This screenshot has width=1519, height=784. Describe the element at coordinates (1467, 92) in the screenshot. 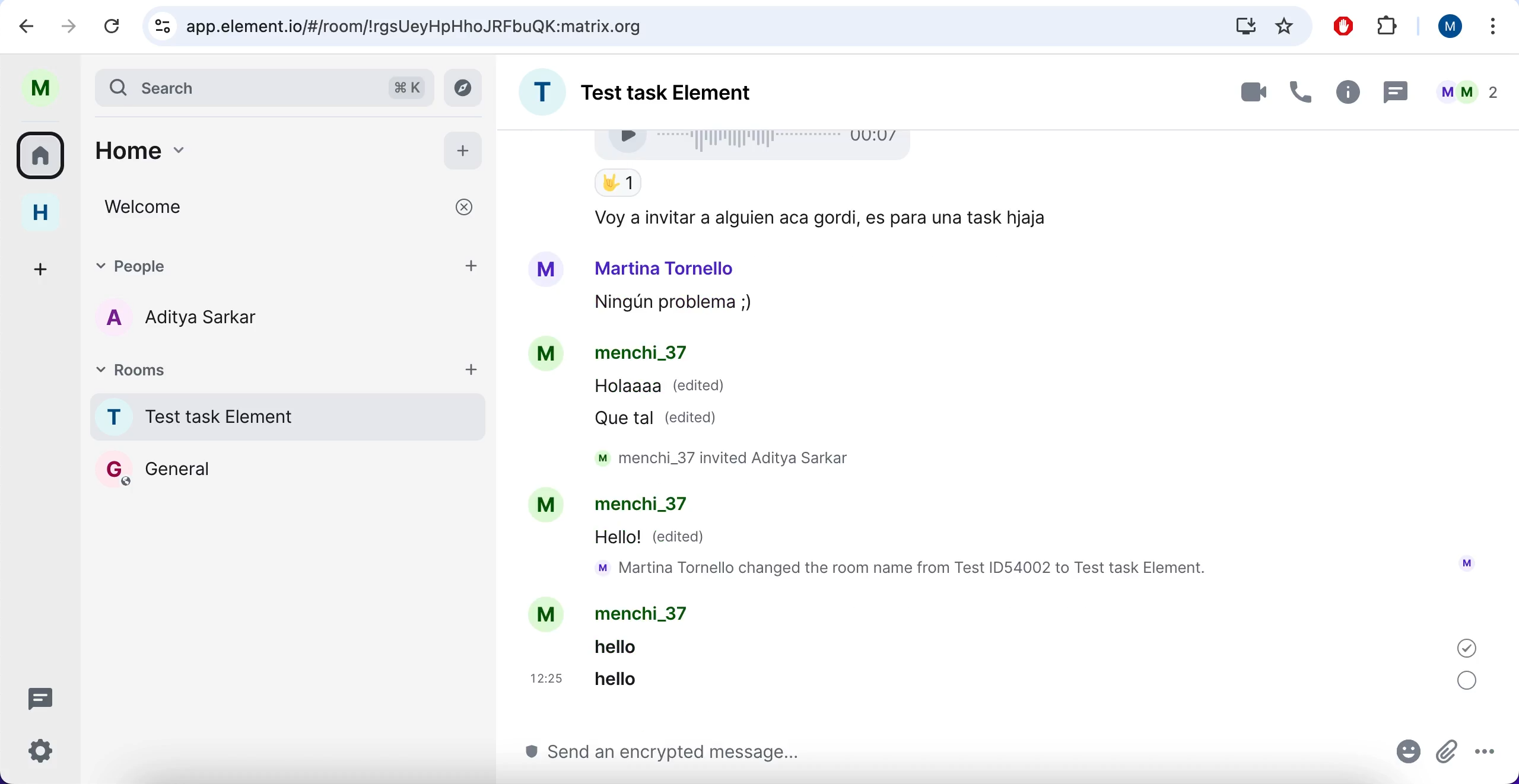

I see `people` at that location.